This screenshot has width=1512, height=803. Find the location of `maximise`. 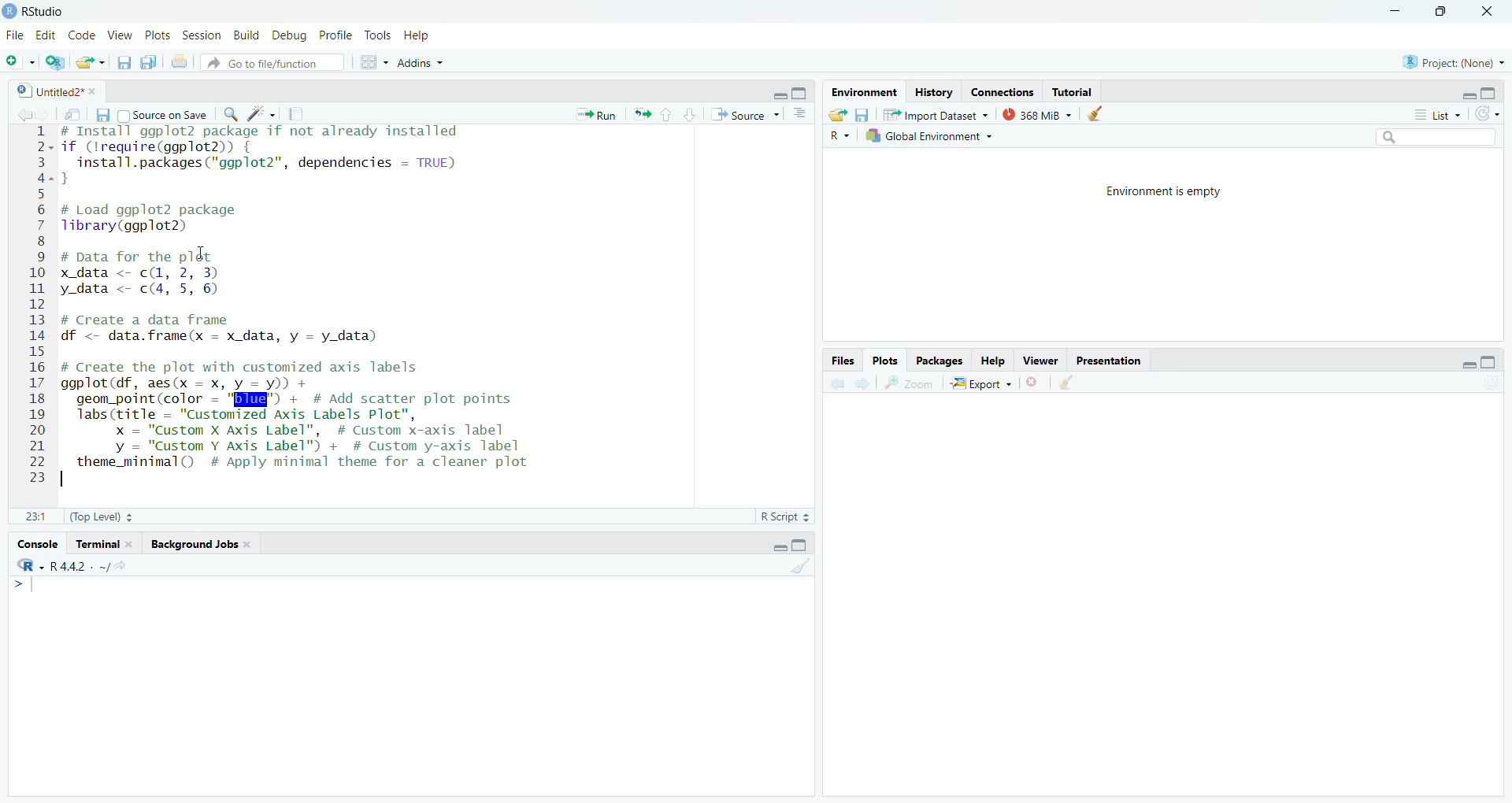

maximise is located at coordinates (799, 94).